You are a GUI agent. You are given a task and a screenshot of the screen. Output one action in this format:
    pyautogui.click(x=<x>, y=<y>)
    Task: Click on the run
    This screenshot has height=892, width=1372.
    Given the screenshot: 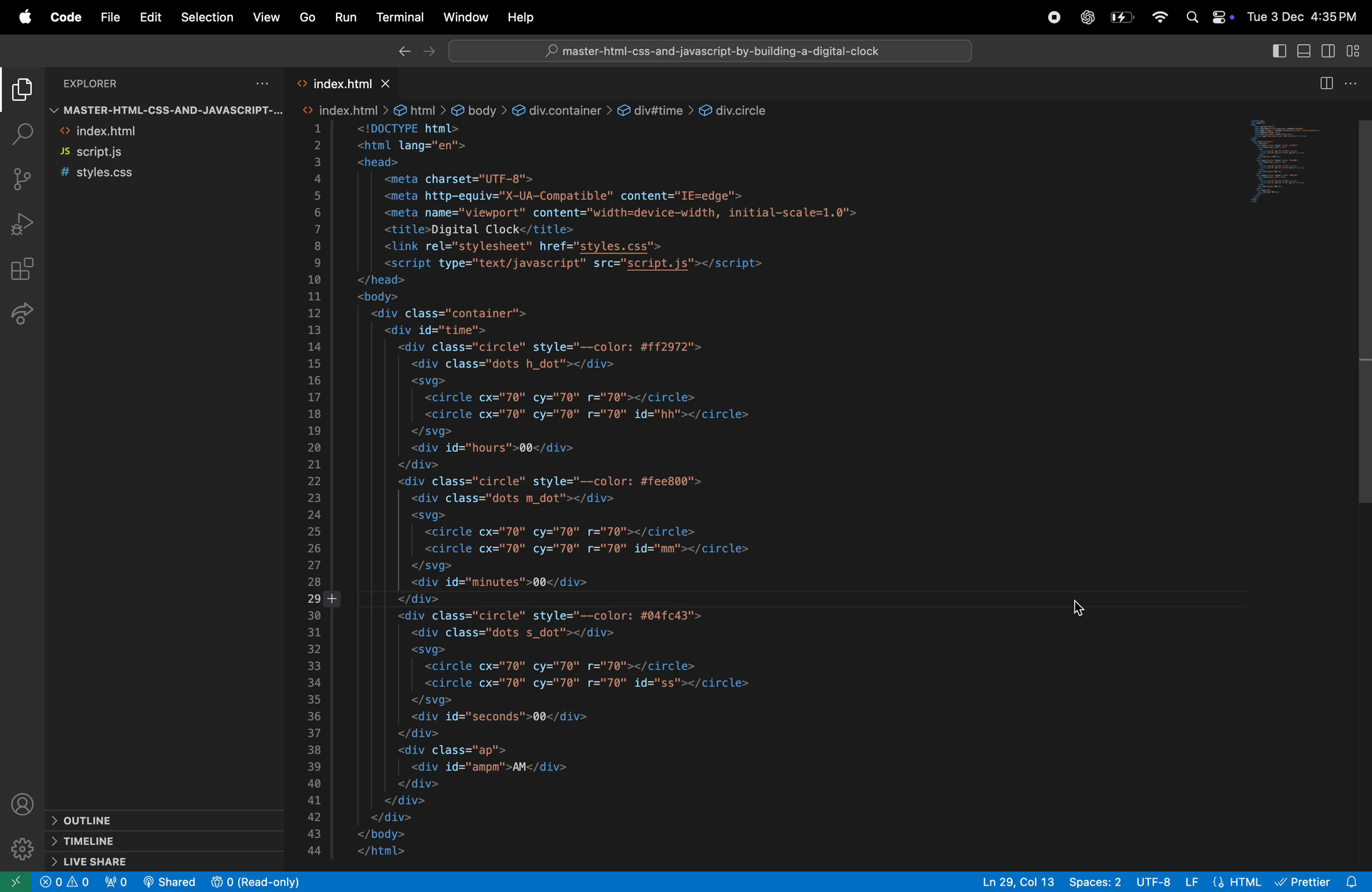 What is the action you would take?
    pyautogui.click(x=346, y=17)
    